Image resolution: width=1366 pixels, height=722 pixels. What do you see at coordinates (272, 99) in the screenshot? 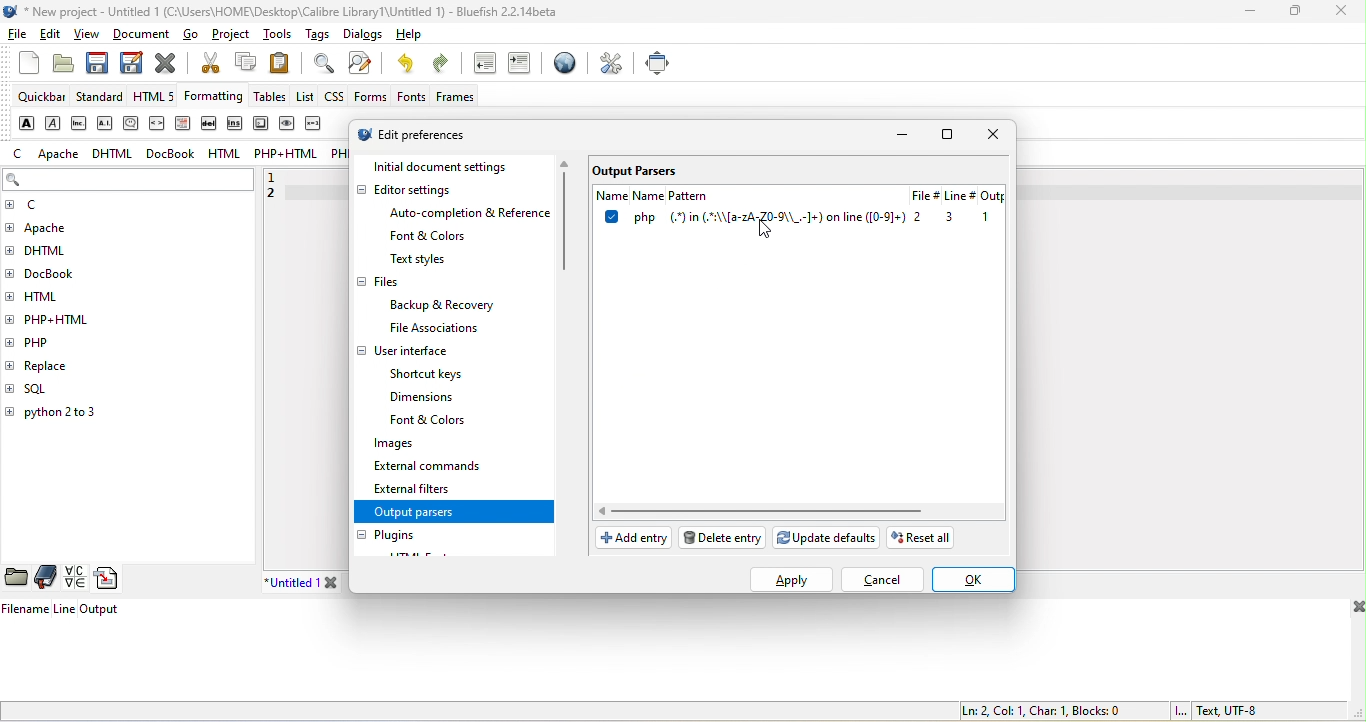
I see `tables` at bounding box center [272, 99].